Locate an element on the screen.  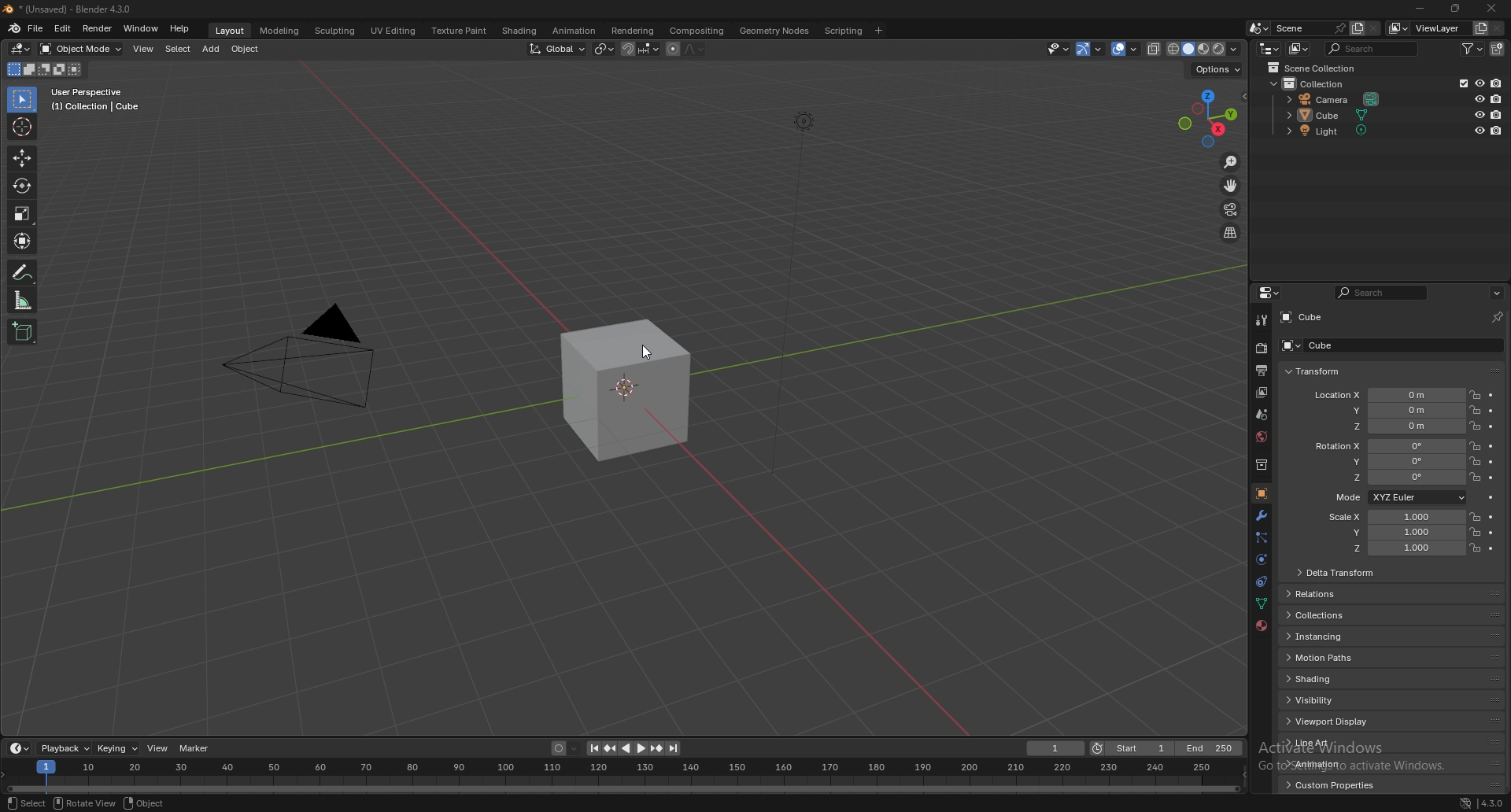
geometry is located at coordinates (776, 31).